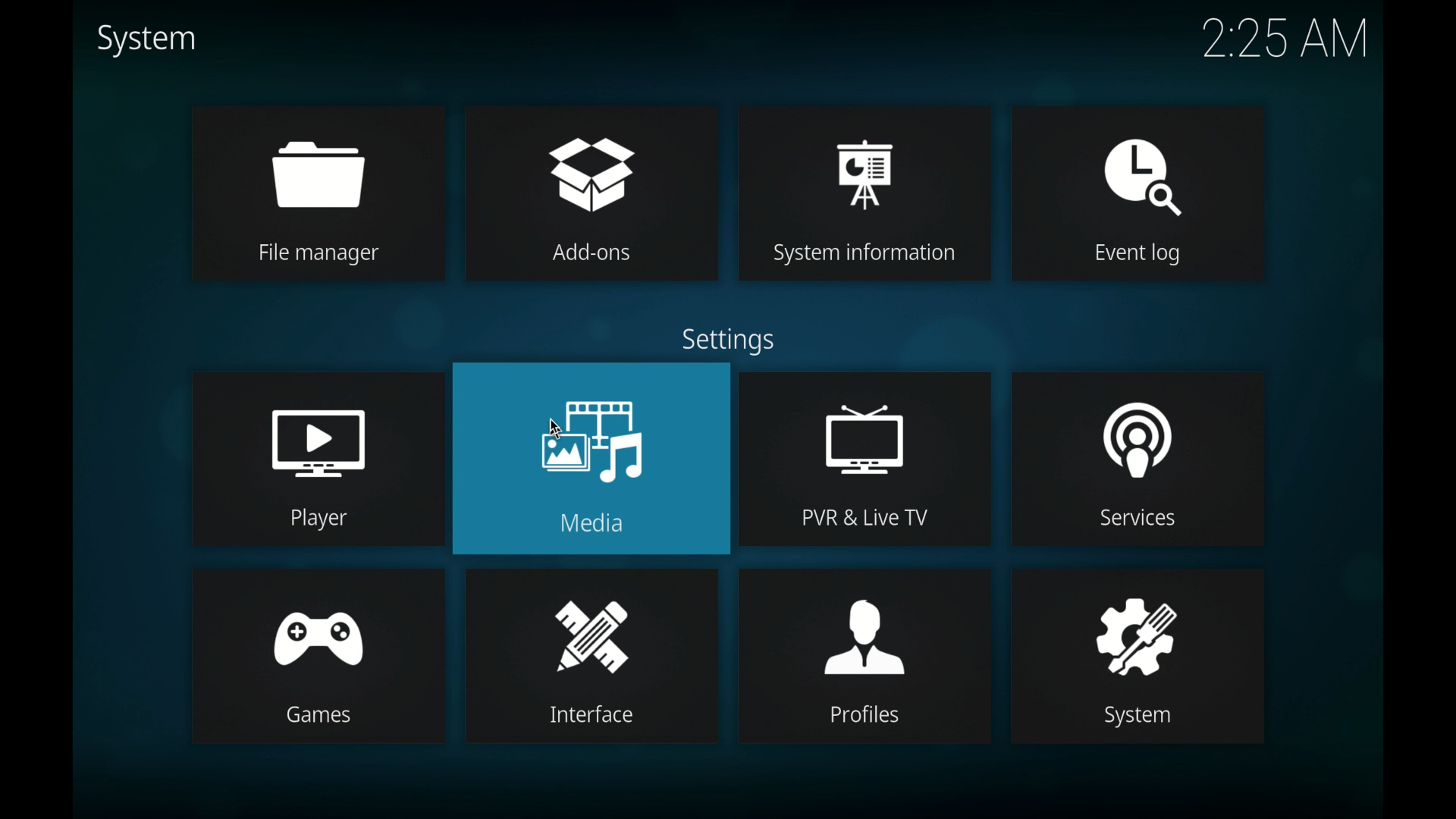 The height and width of the screenshot is (819, 1456). Describe the element at coordinates (1137, 163) in the screenshot. I see `event log` at that location.